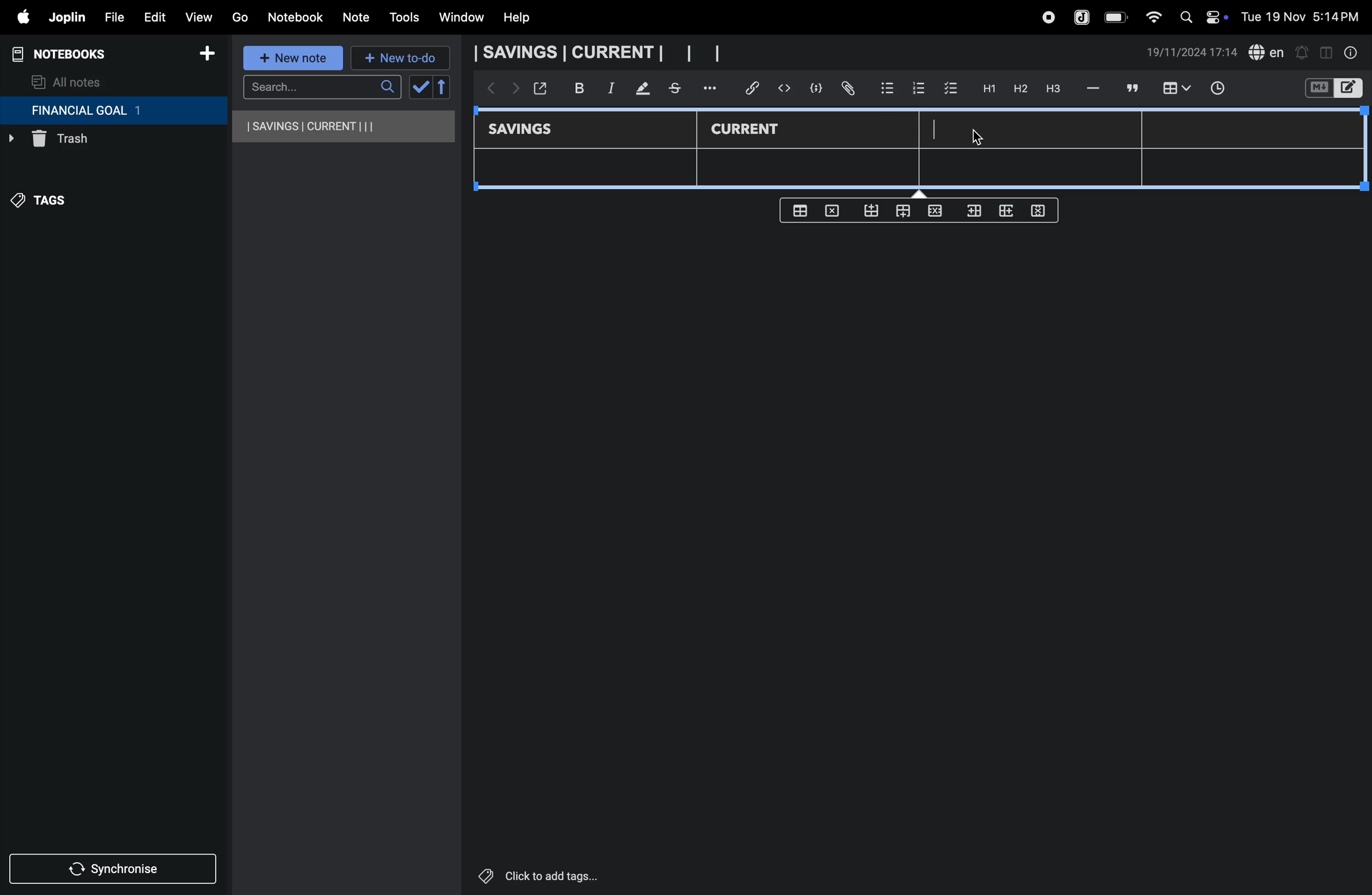 The width and height of the screenshot is (1372, 895). Describe the element at coordinates (638, 89) in the screenshot. I see `mark` at that location.